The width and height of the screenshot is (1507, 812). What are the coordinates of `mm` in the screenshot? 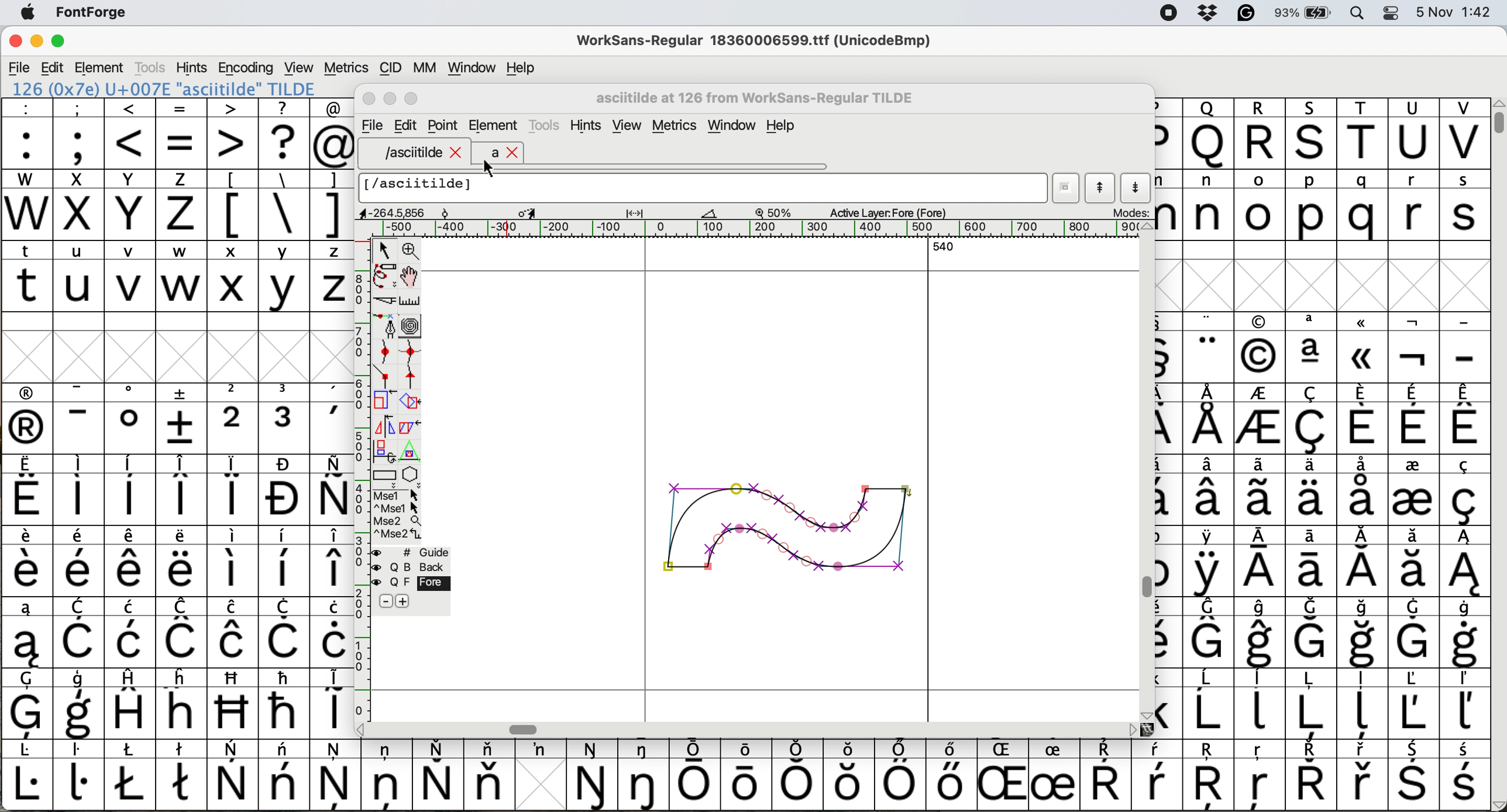 It's located at (424, 67).